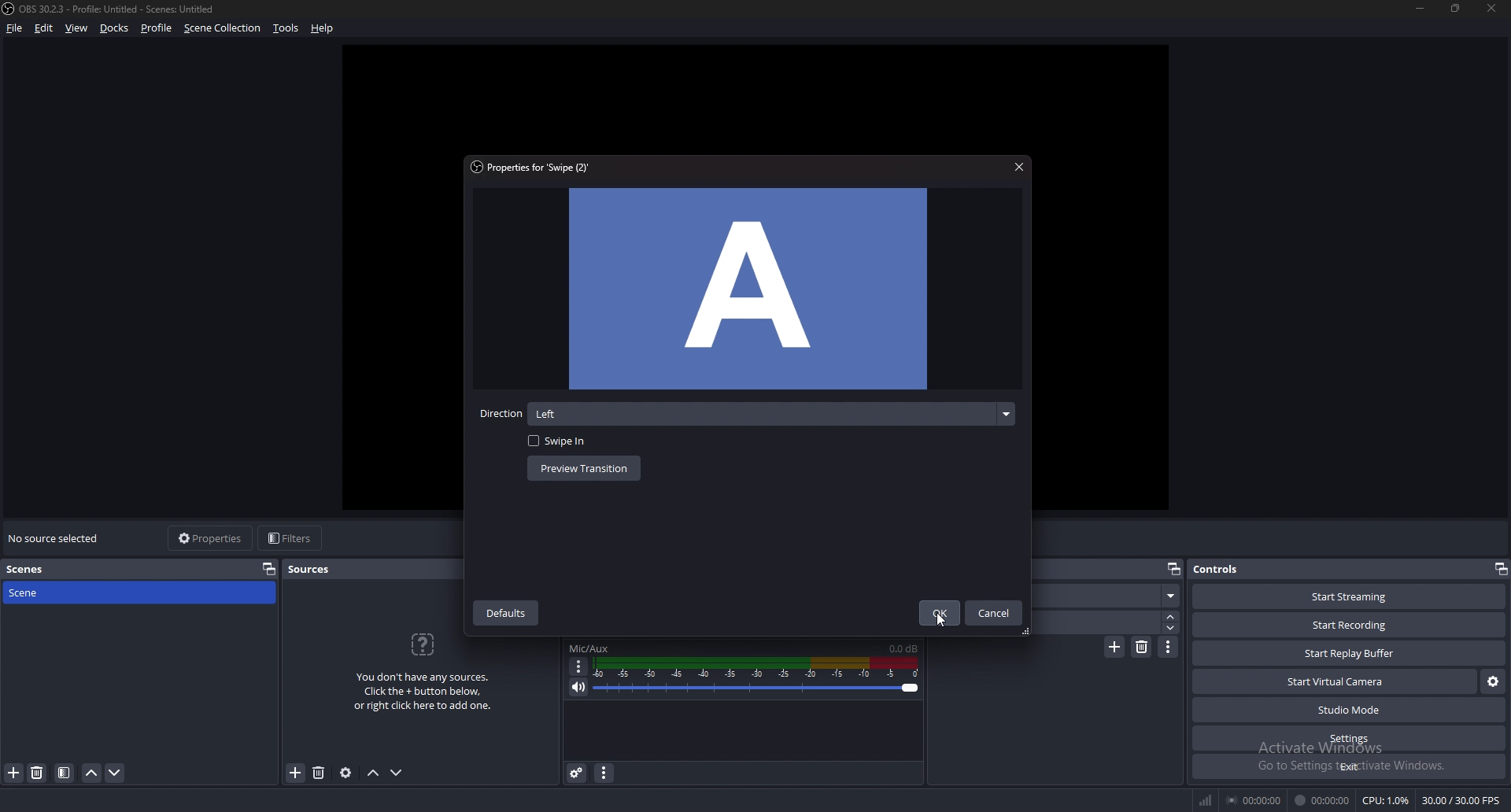 The height and width of the screenshot is (812, 1511). I want to click on network, so click(1209, 799).